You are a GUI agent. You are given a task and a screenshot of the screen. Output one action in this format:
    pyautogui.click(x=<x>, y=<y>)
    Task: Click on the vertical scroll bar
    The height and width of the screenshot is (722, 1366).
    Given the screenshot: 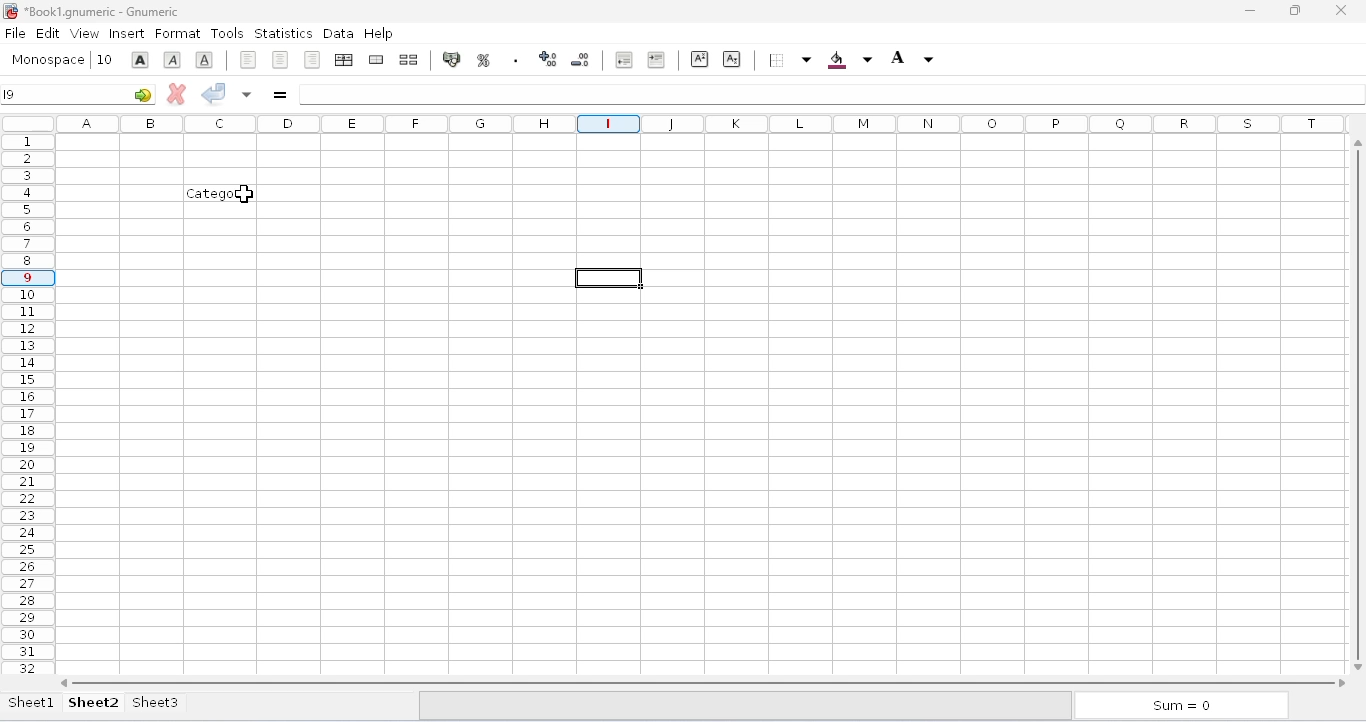 What is the action you would take?
    pyautogui.click(x=1361, y=402)
    